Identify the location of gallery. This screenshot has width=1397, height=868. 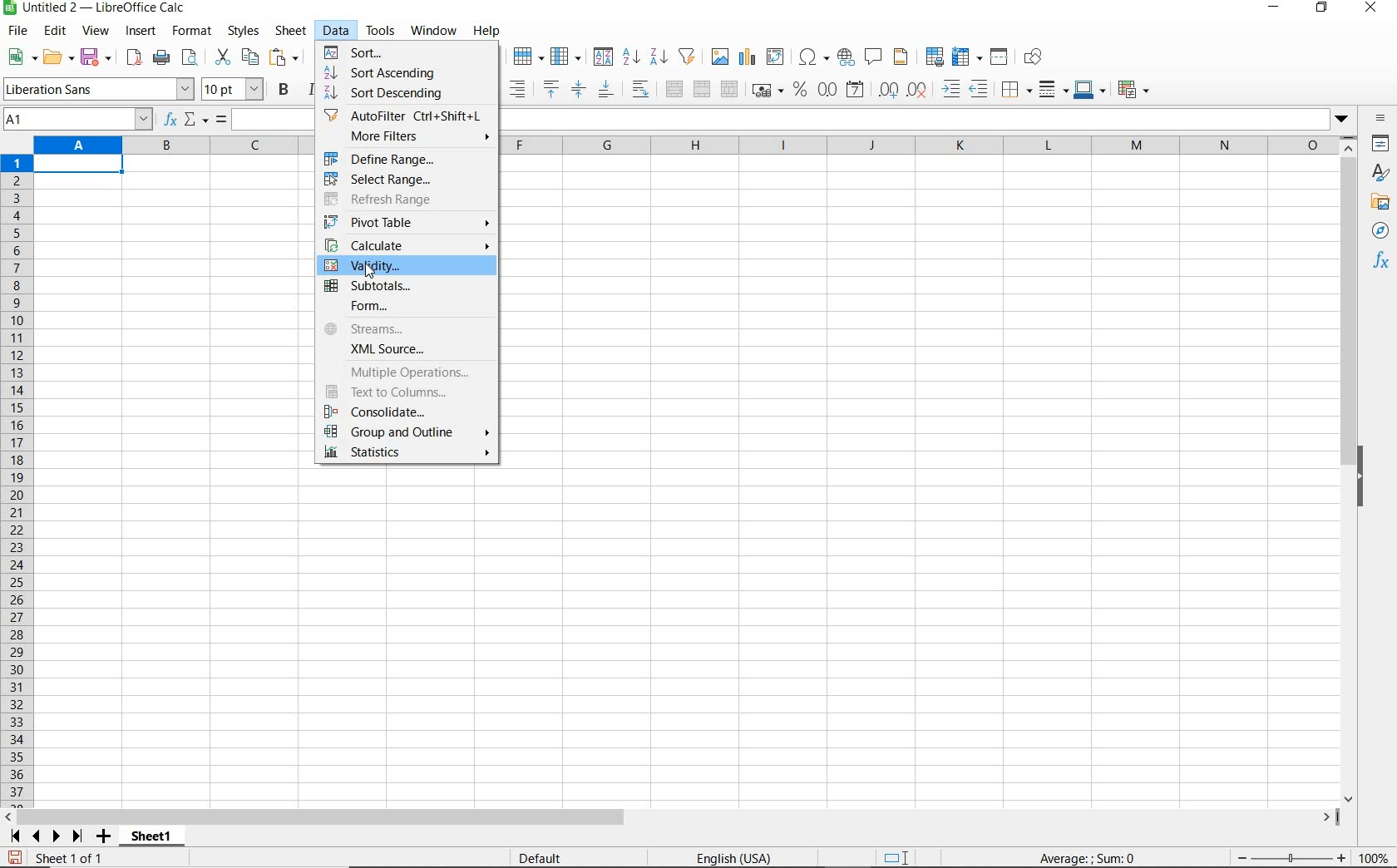
(1383, 203).